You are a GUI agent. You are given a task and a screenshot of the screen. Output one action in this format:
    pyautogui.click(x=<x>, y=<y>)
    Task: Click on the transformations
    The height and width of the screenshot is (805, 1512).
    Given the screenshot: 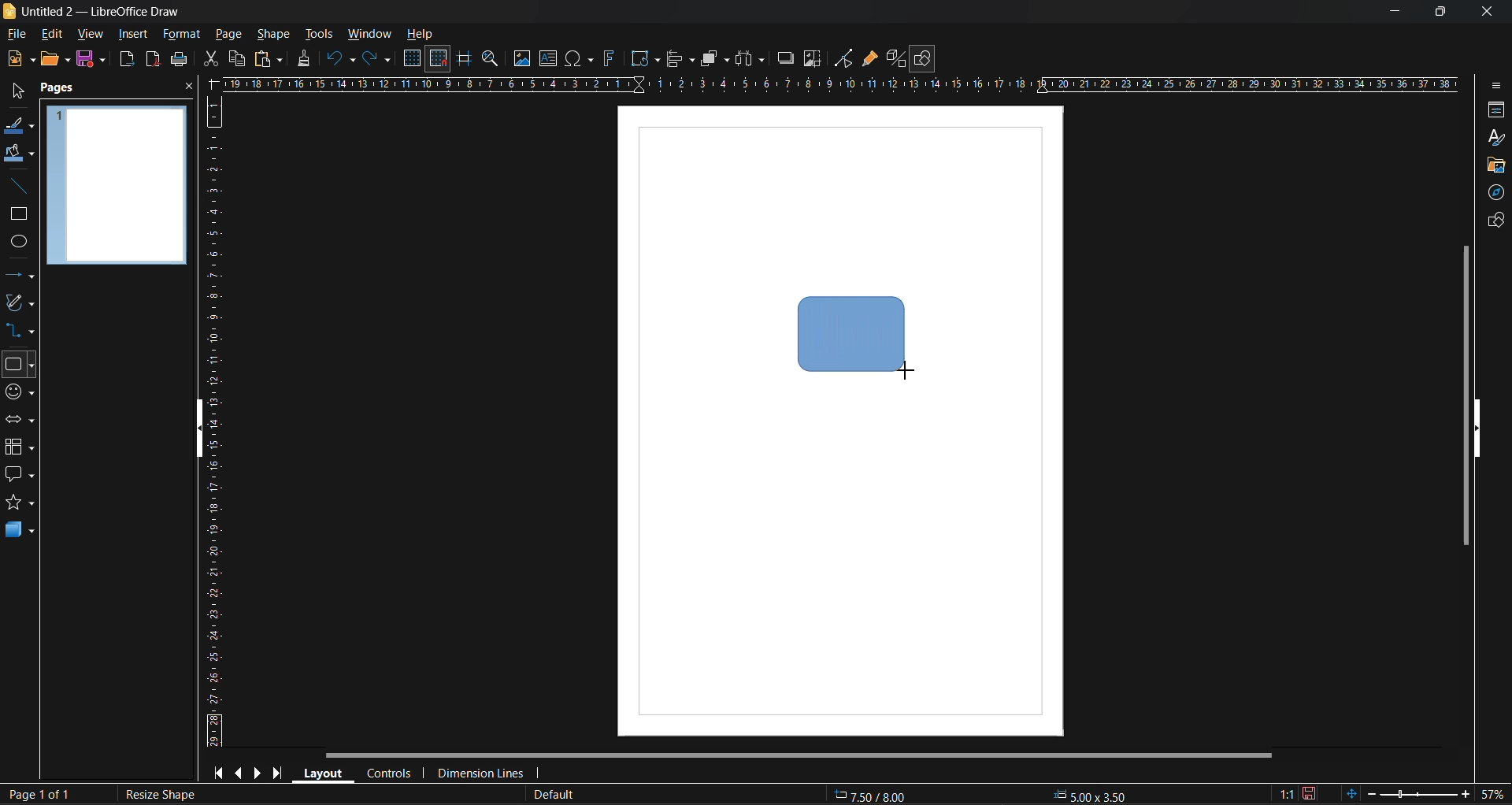 What is the action you would take?
    pyautogui.click(x=645, y=59)
    